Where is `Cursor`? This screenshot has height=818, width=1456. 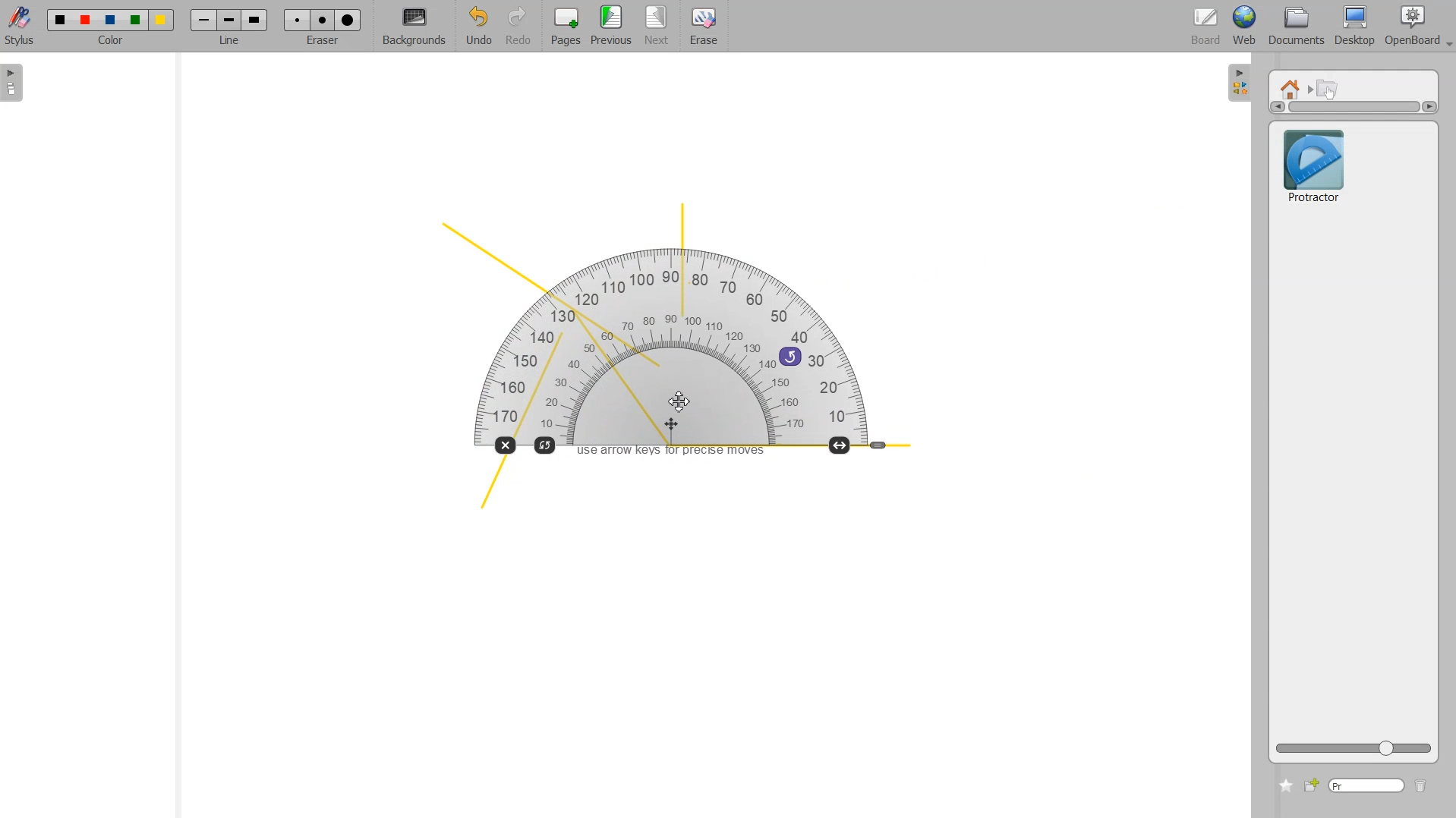
Cursor is located at coordinates (679, 401).